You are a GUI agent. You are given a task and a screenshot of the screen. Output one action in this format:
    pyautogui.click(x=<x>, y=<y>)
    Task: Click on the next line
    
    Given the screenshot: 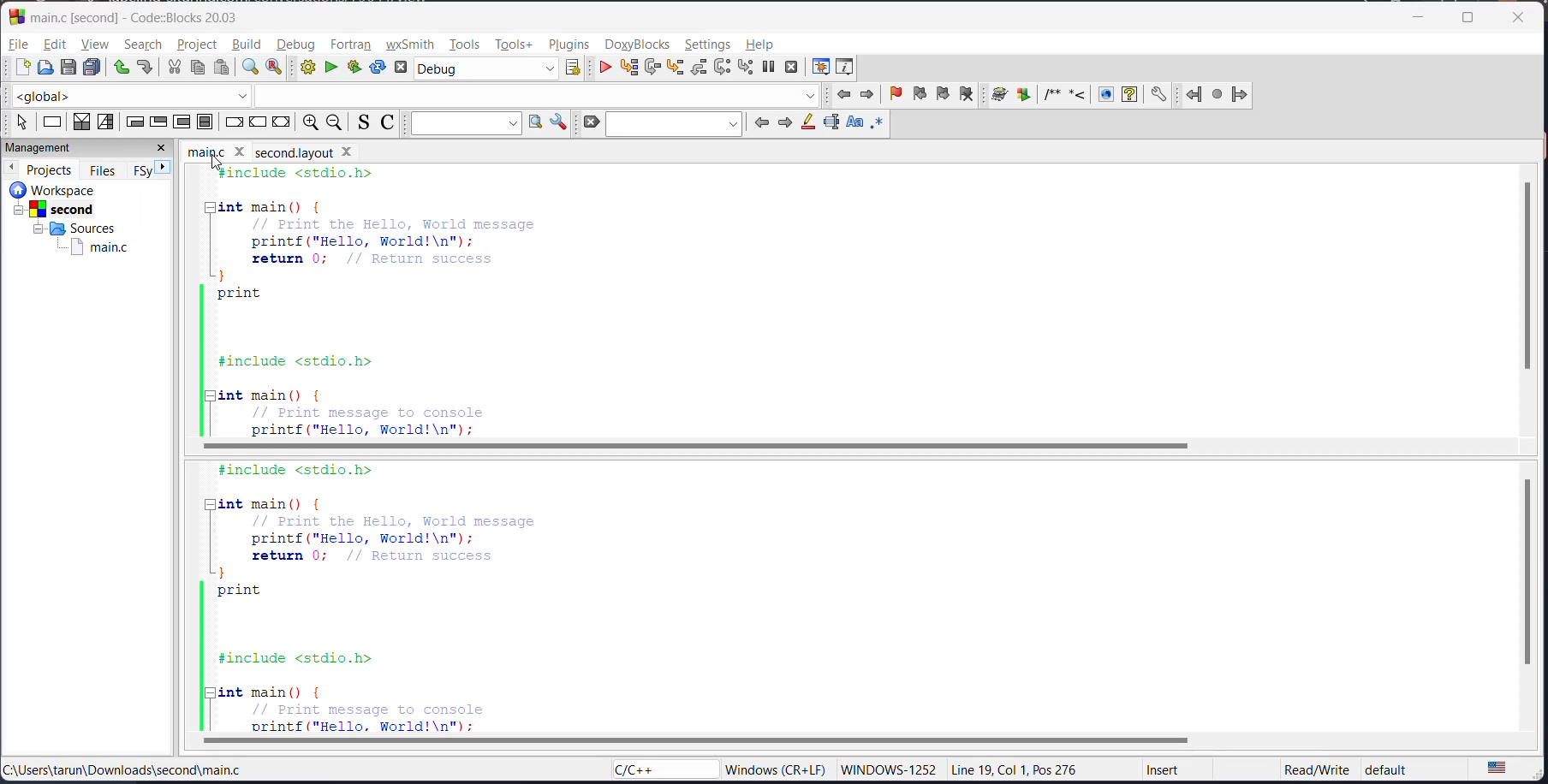 What is the action you would take?
    pyautogui.click(x=656, y=68)
    